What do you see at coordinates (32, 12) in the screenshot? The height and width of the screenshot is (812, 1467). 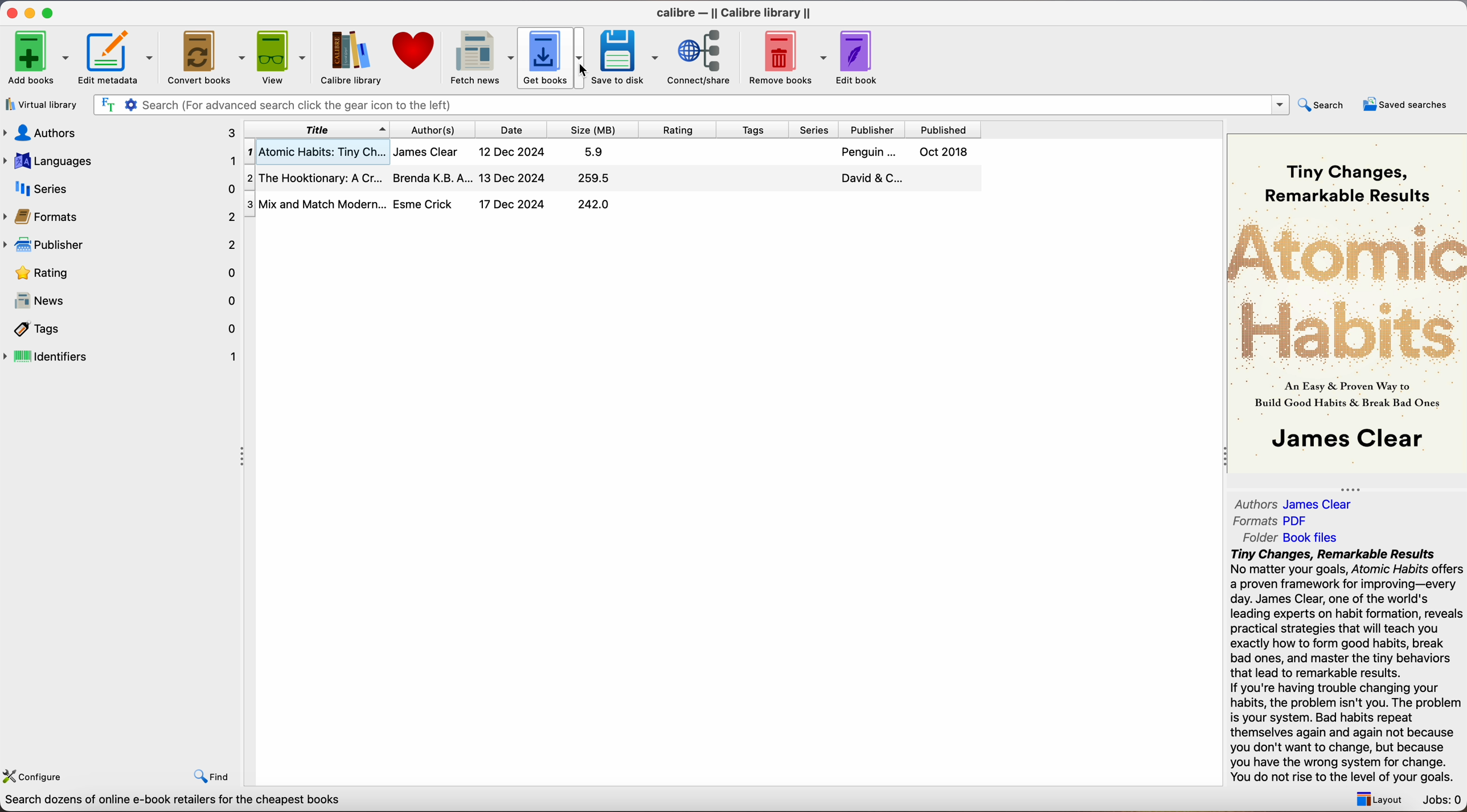 I see `minimize` at bounding box center [32, 12].